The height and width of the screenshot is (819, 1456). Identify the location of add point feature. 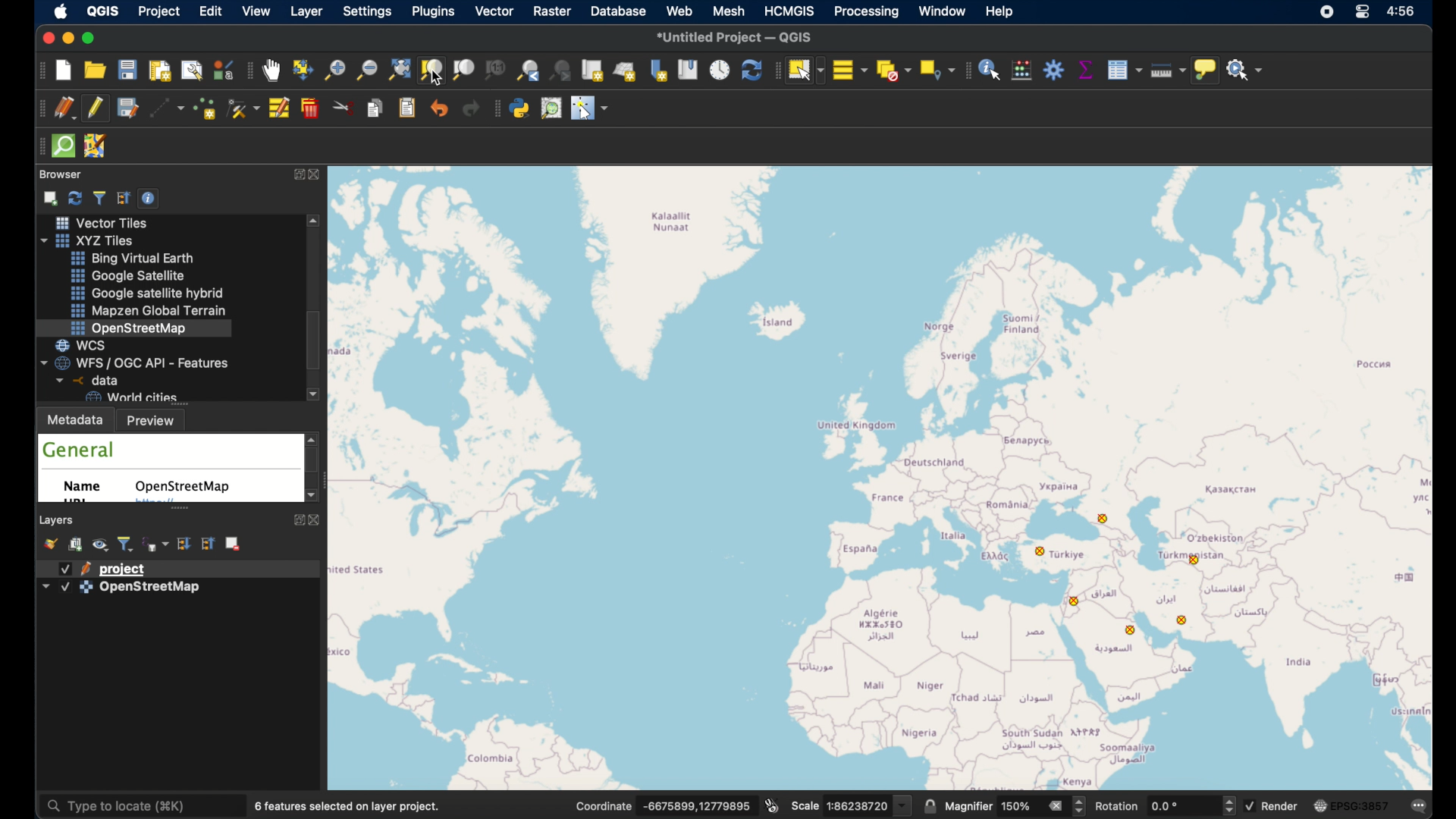
(207, 108).